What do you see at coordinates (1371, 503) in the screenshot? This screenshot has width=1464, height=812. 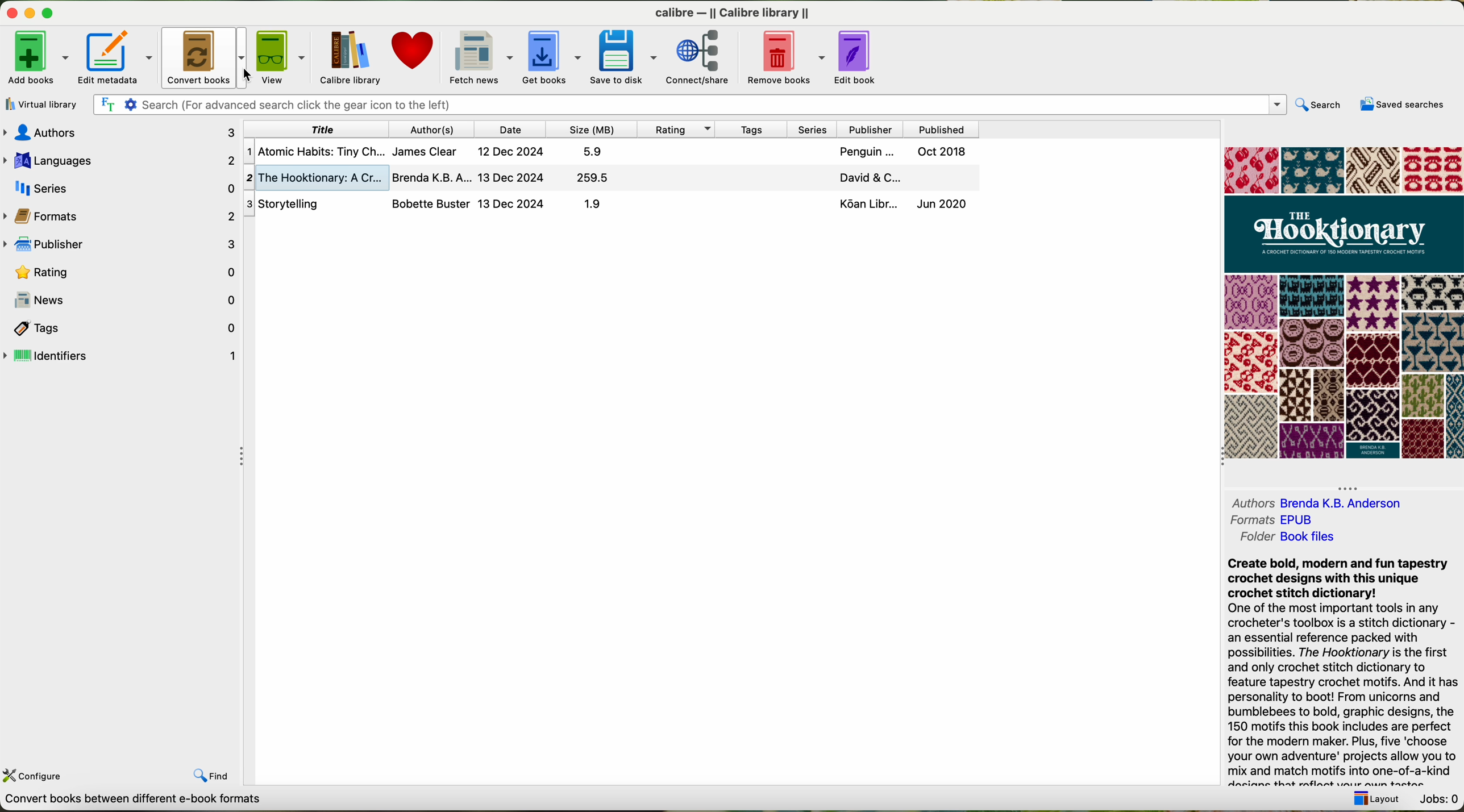 I see `Brenda K.B Anderson` at bounding box center [1371, 503].